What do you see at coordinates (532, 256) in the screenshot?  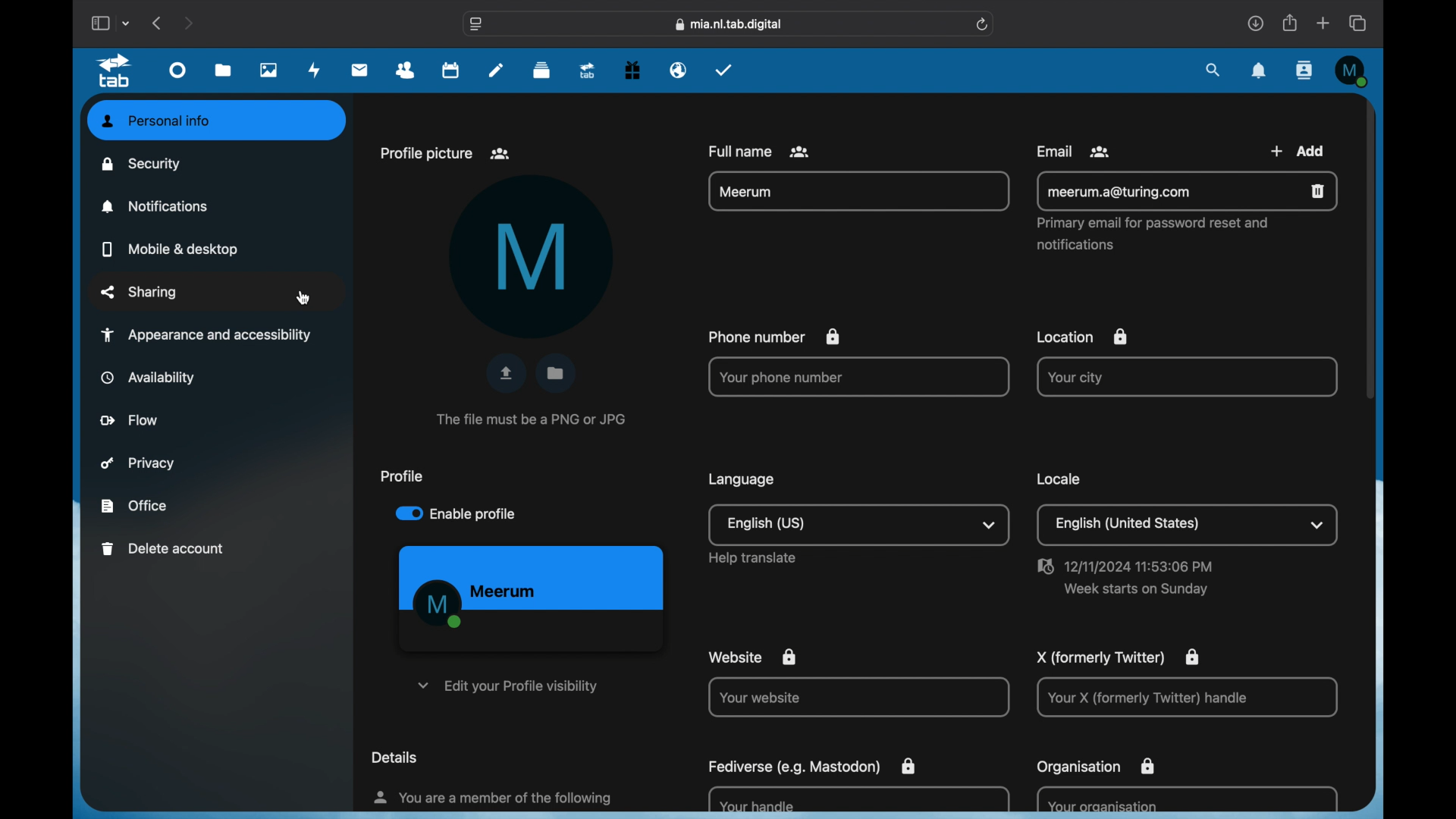 I see `M` at bounding box center [532, 256].